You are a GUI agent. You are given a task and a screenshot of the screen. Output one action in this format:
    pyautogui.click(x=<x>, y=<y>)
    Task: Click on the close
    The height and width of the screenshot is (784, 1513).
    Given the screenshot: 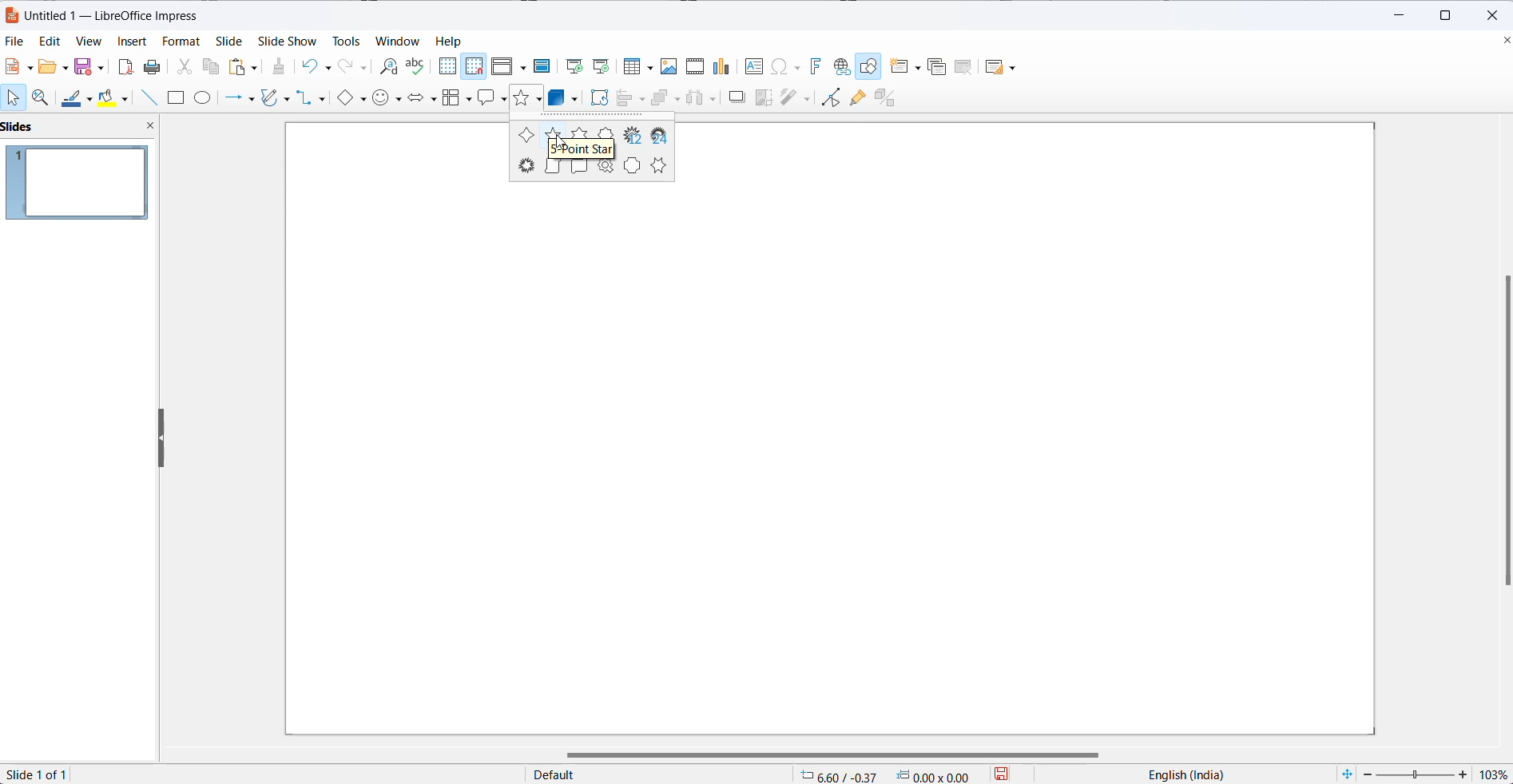 What is the action you would take?
    pyautogui.click(x=1496, y=16)
    